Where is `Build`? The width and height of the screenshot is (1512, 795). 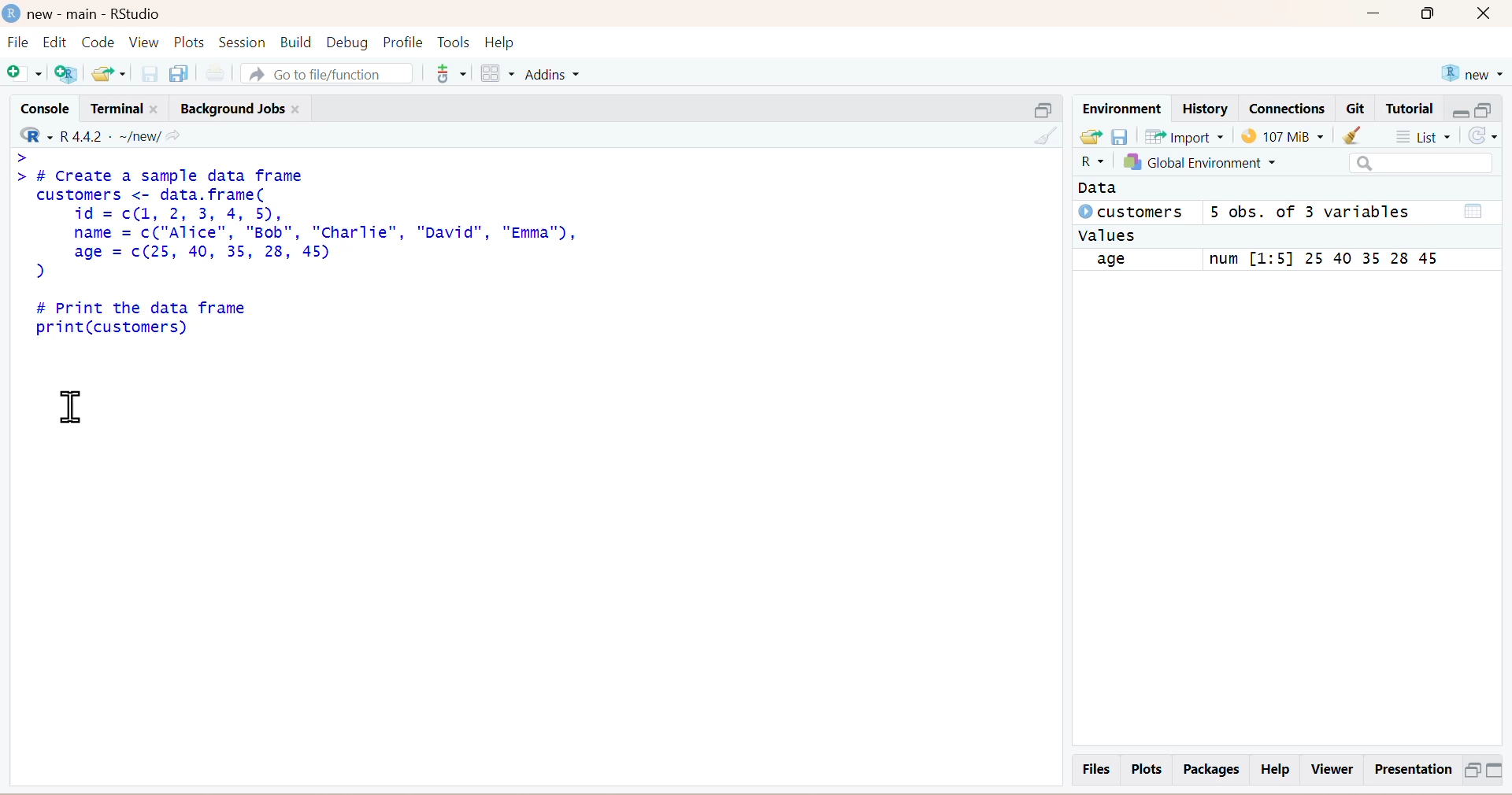 Build is located at coordinates (292, 42).